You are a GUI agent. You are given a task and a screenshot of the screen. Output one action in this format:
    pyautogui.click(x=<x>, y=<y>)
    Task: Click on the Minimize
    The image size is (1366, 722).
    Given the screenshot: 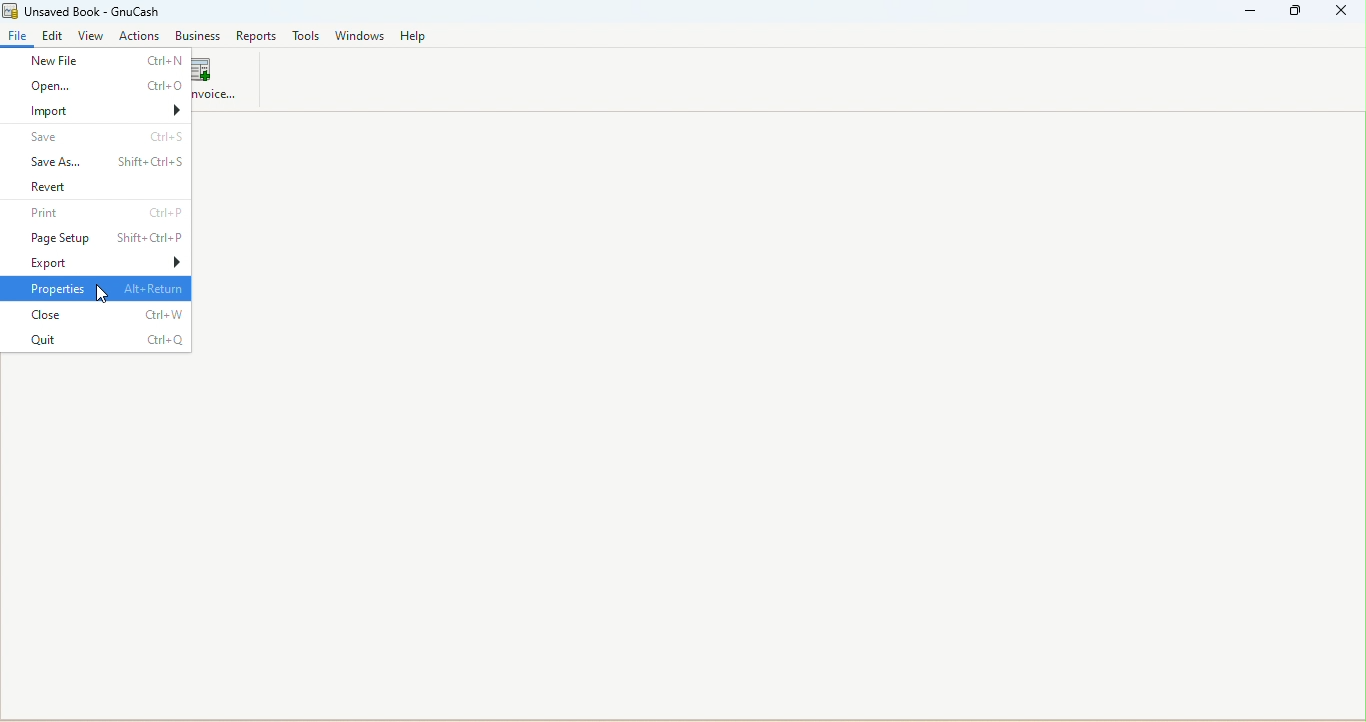 What is the action you would take?
    pyautogui.click(x=1252, y=11)
    